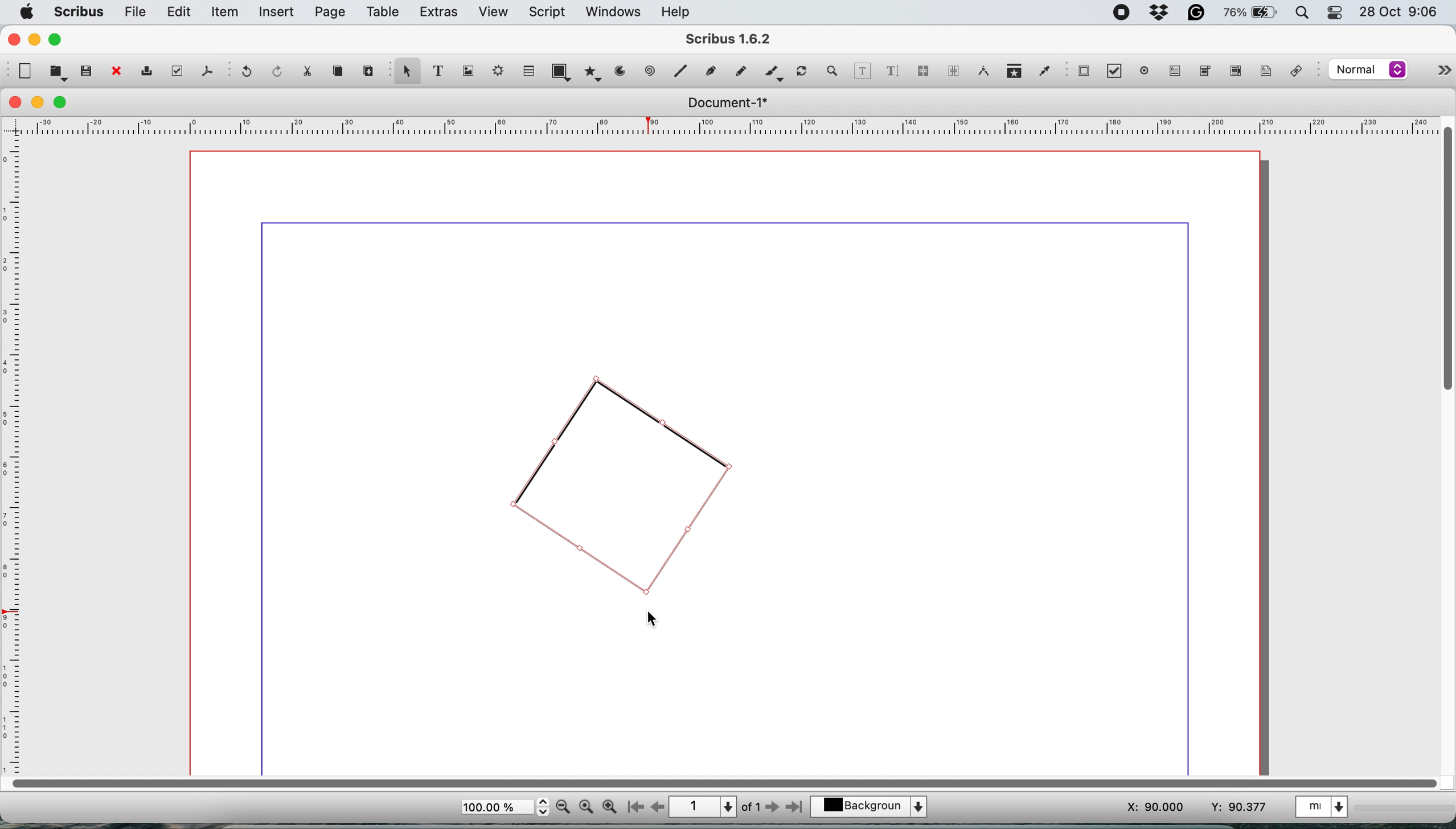 This screenshot has width=1456, height=829. Describe the element at coordinates (550, 12) in the screenshot. I see `script` at that location.